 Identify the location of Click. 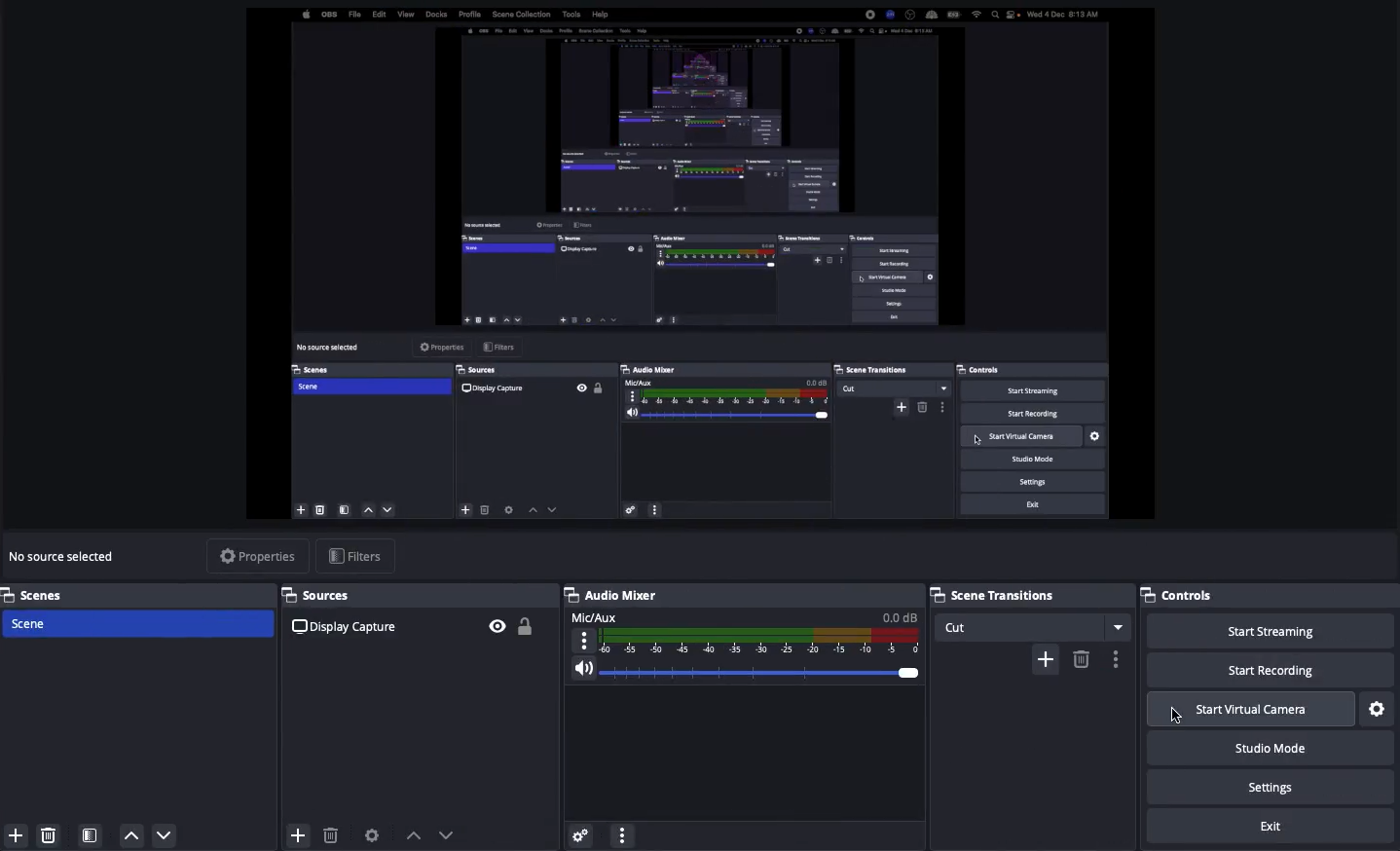
(1176, 713).